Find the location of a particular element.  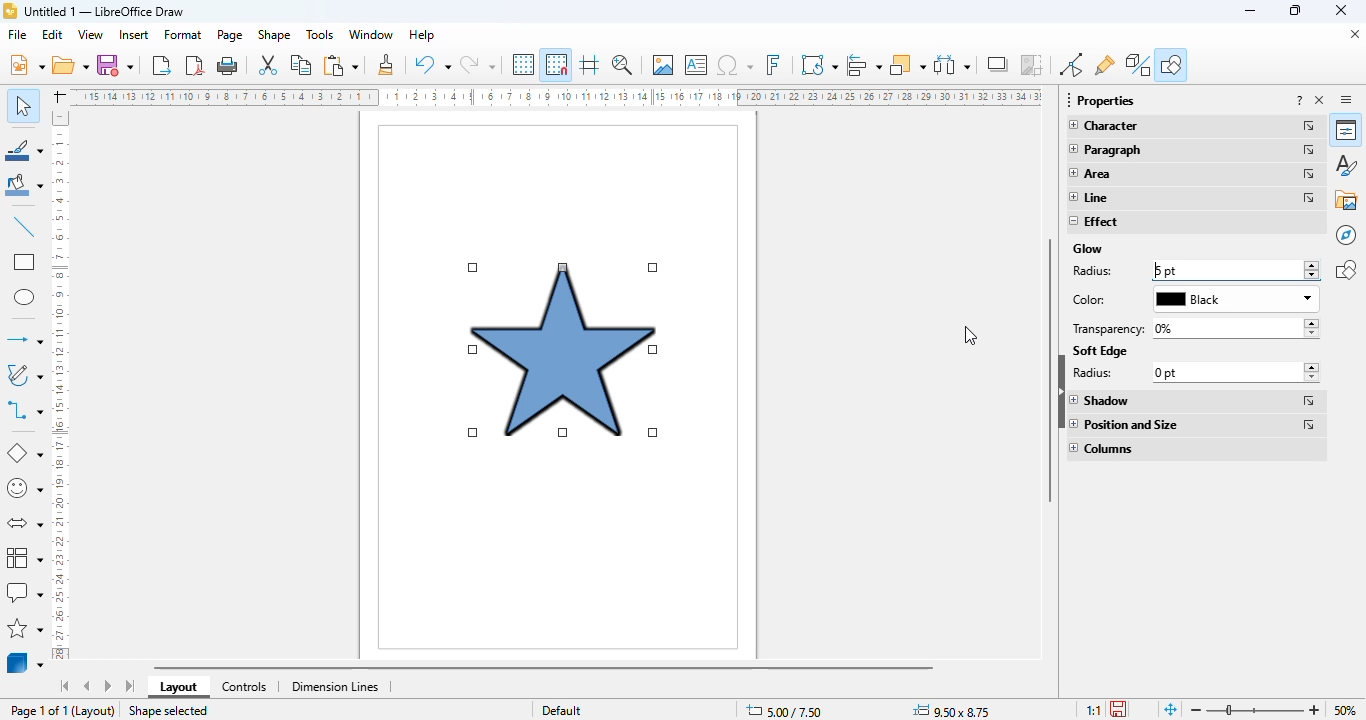

hide is located at coordinates (1060, 392).